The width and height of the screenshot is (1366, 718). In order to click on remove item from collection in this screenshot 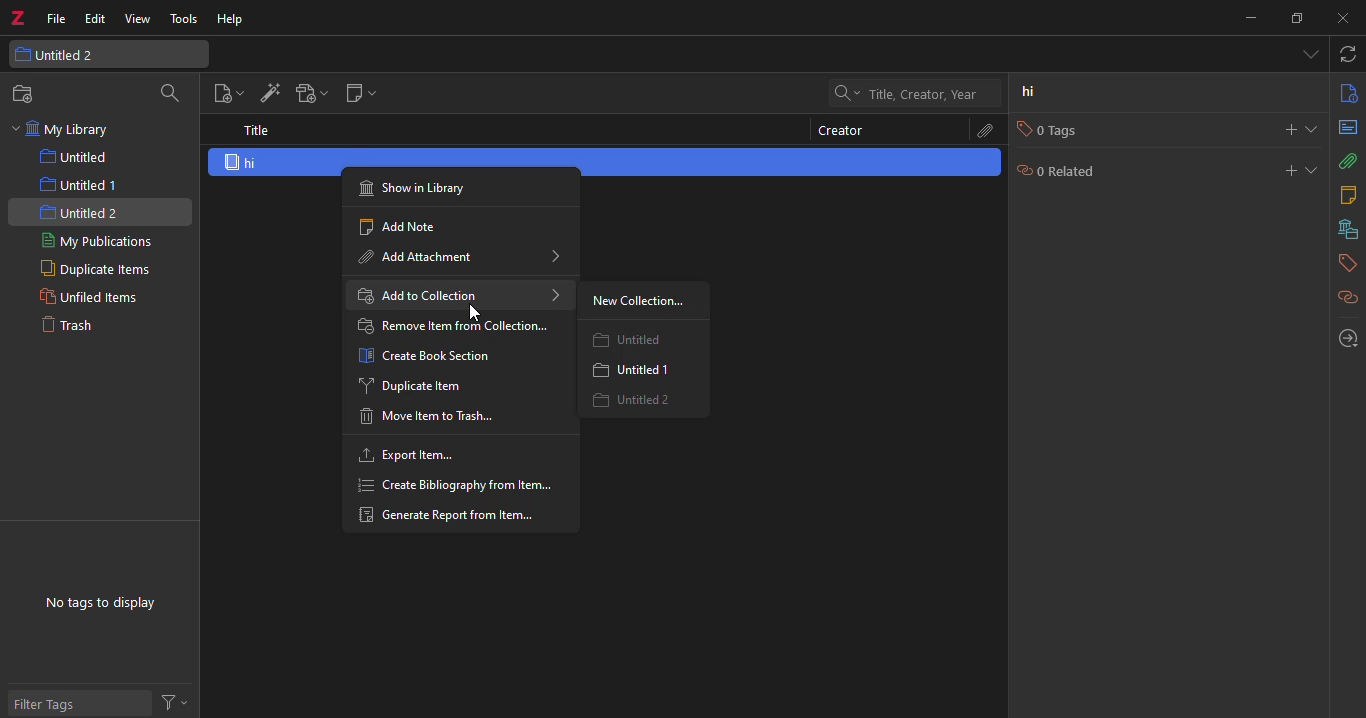, I will do `click(450, 327)`.